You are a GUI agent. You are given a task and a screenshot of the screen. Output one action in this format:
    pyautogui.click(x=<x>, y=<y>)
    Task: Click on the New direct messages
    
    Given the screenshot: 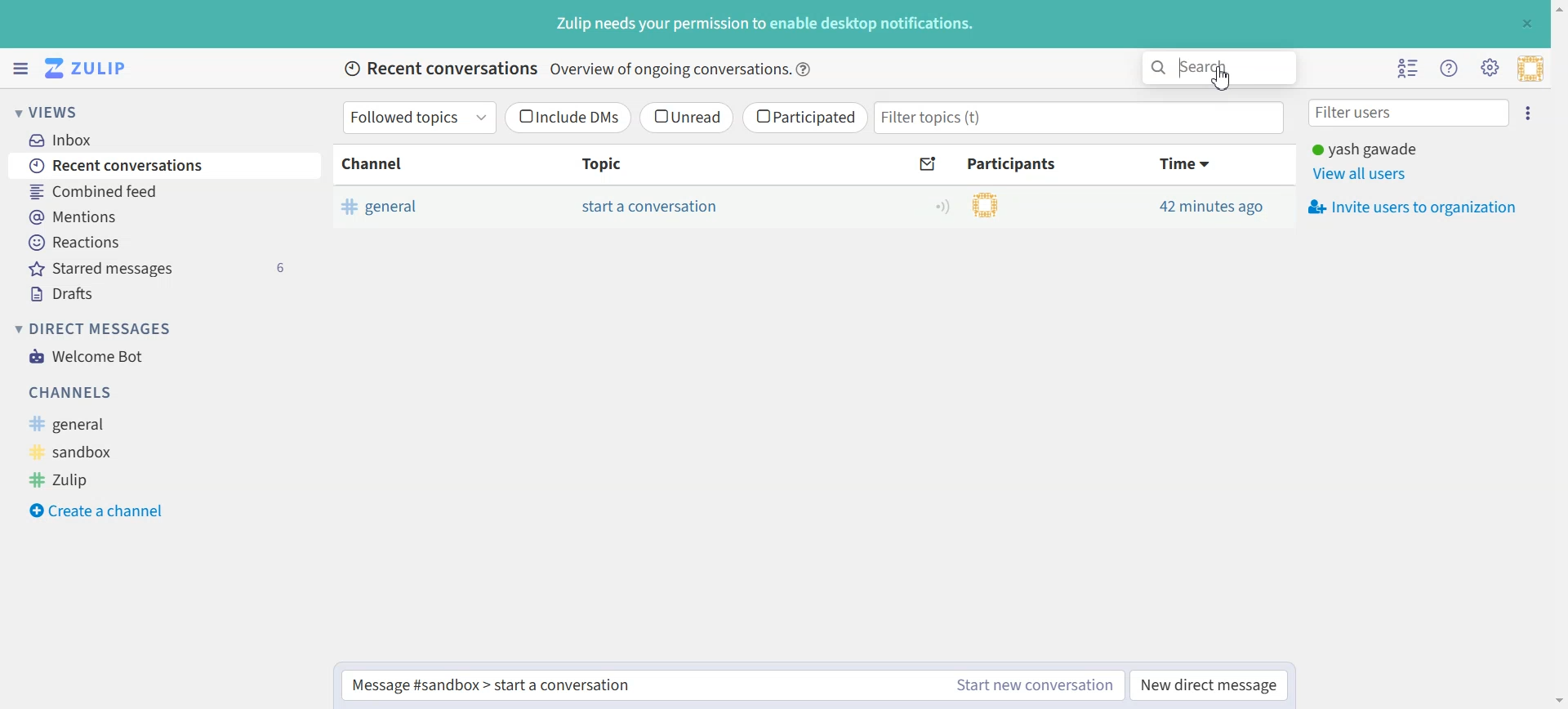 What is the action you would take?
    pyautogui.click(x=1208, y=685)
    